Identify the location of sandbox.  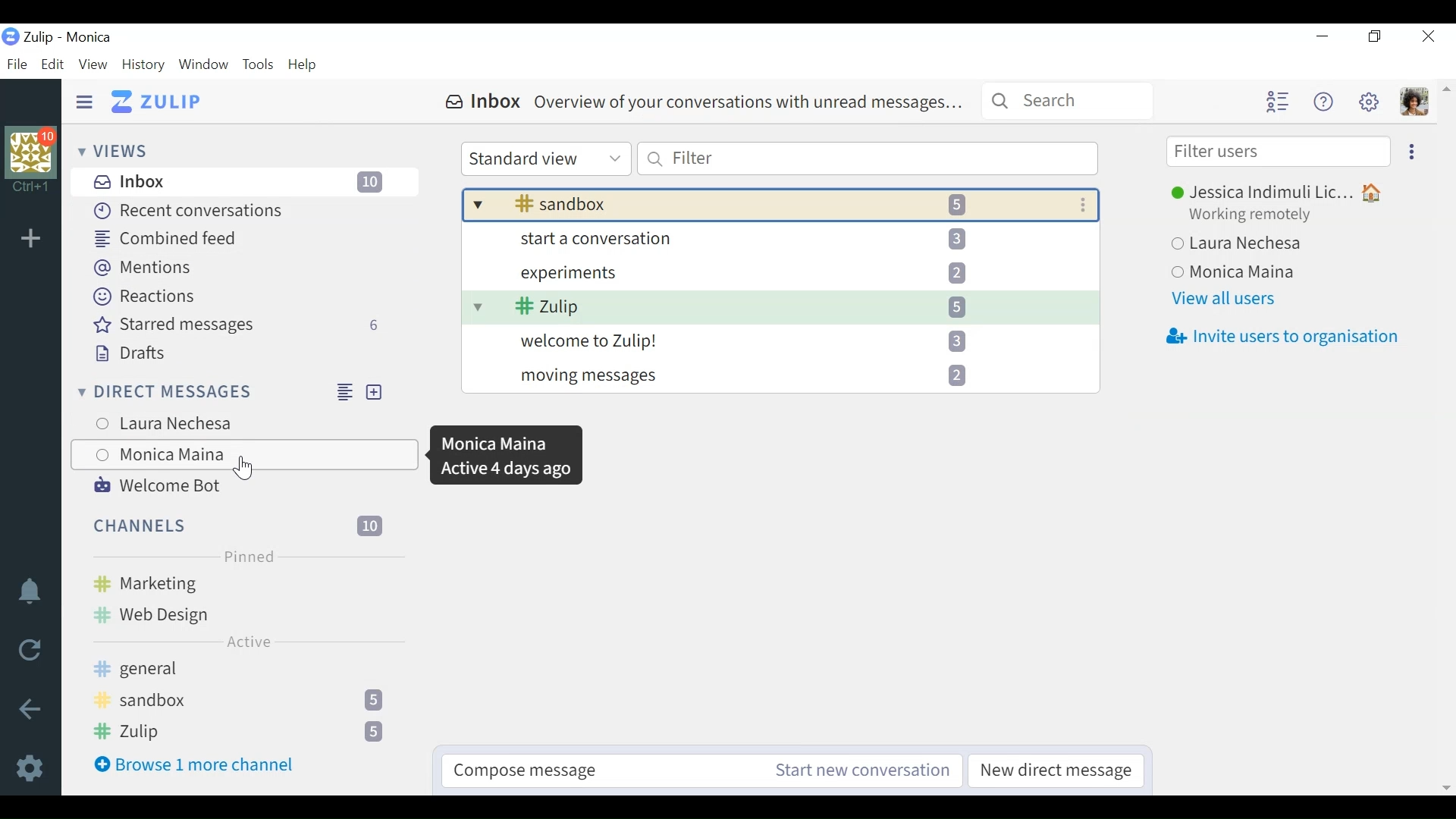
(761, 204).